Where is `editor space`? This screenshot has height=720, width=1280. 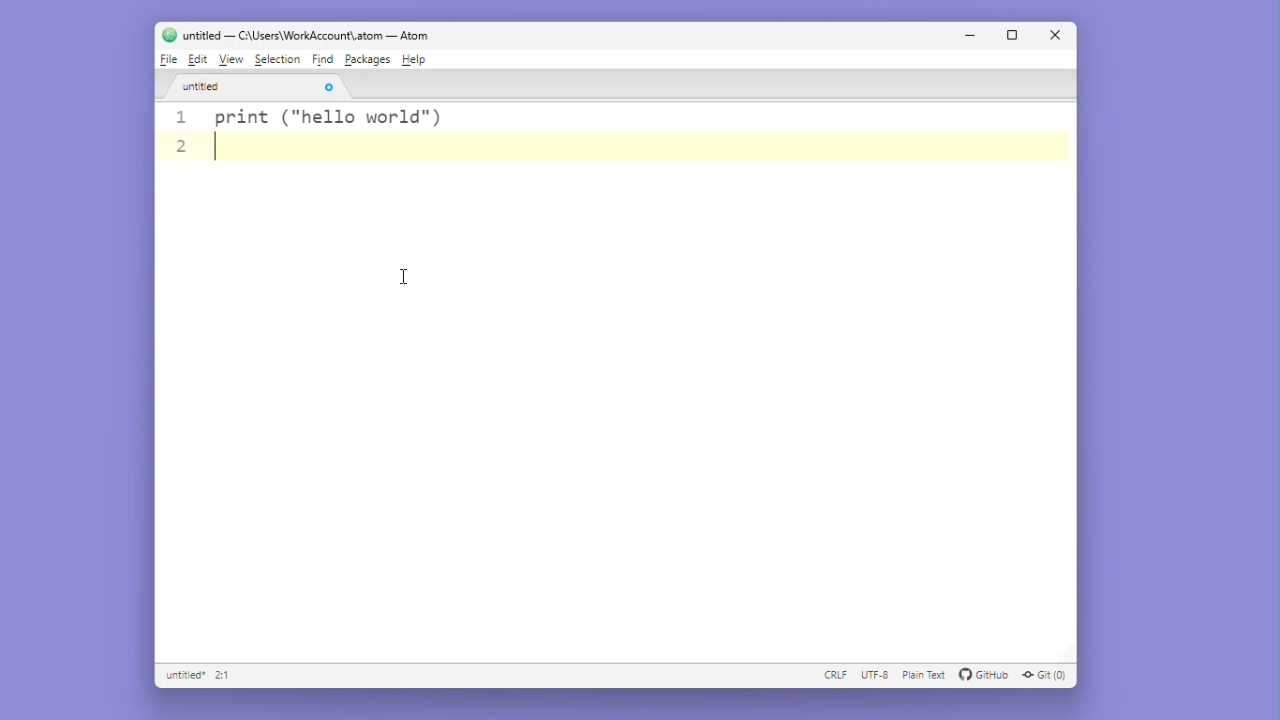 editor space is located at coordinates (618, 496).